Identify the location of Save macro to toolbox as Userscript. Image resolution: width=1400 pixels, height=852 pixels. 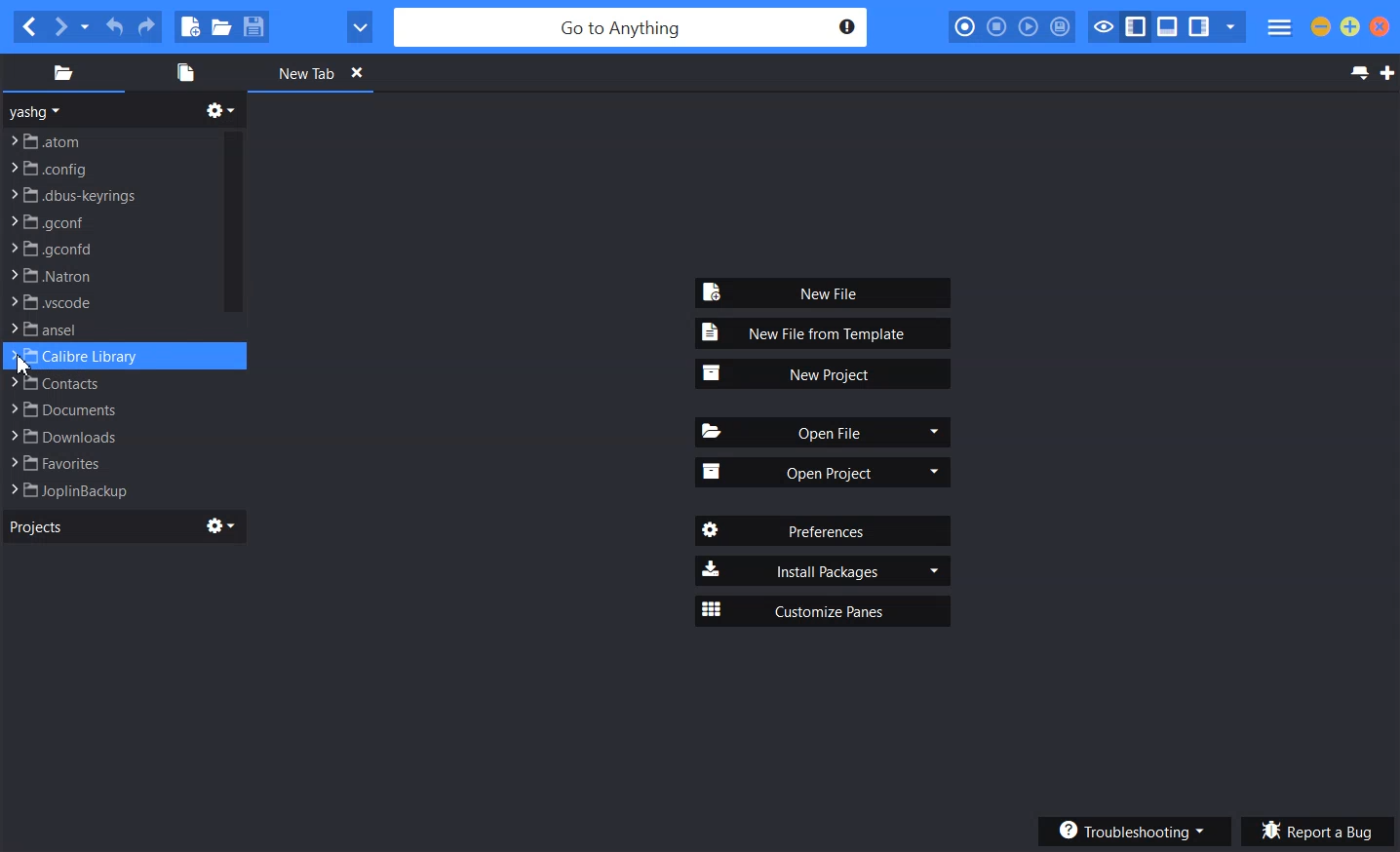
(1061, 26).